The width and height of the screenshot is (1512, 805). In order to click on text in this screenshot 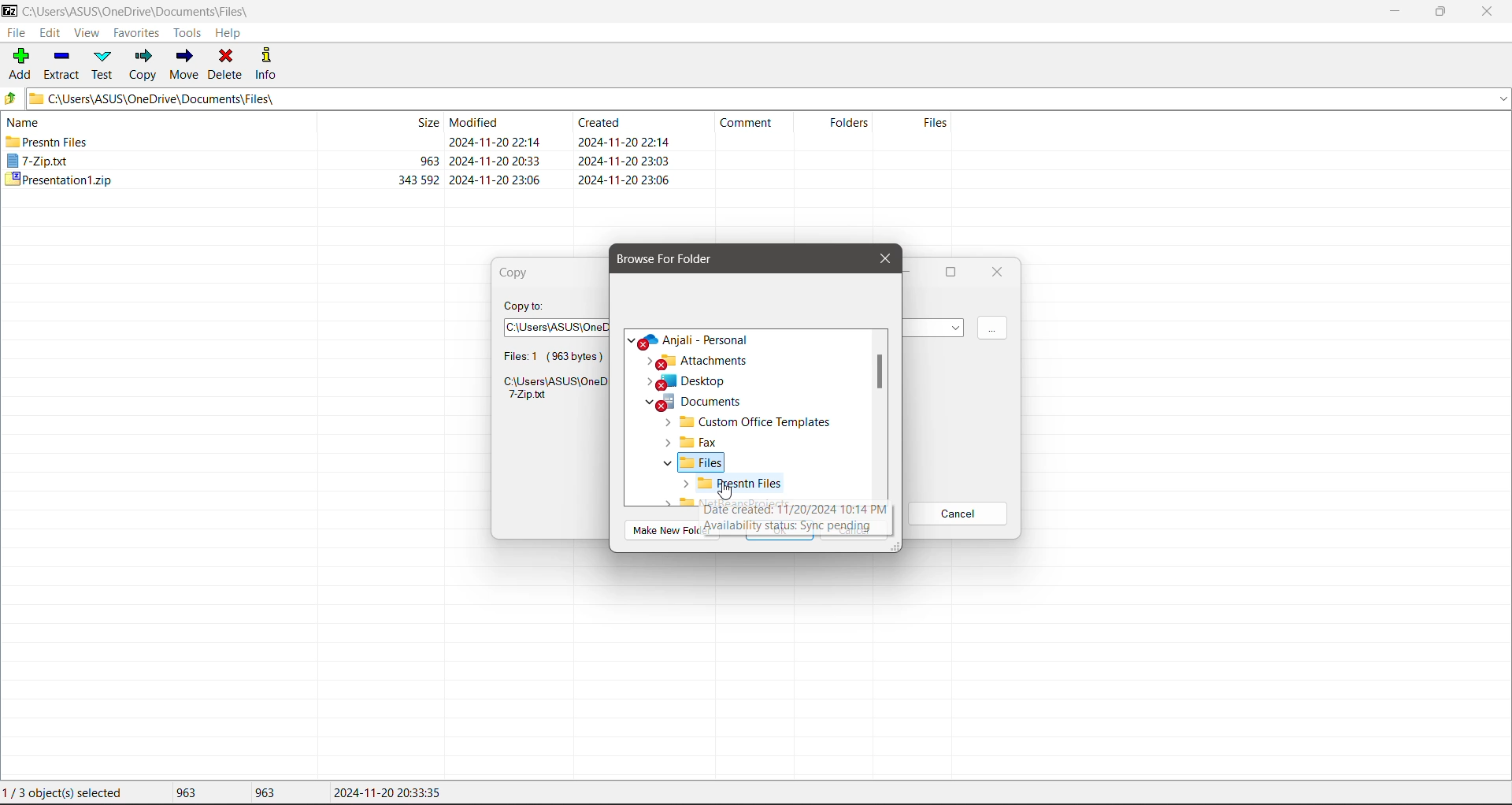, I will do `click(795, 521)`.